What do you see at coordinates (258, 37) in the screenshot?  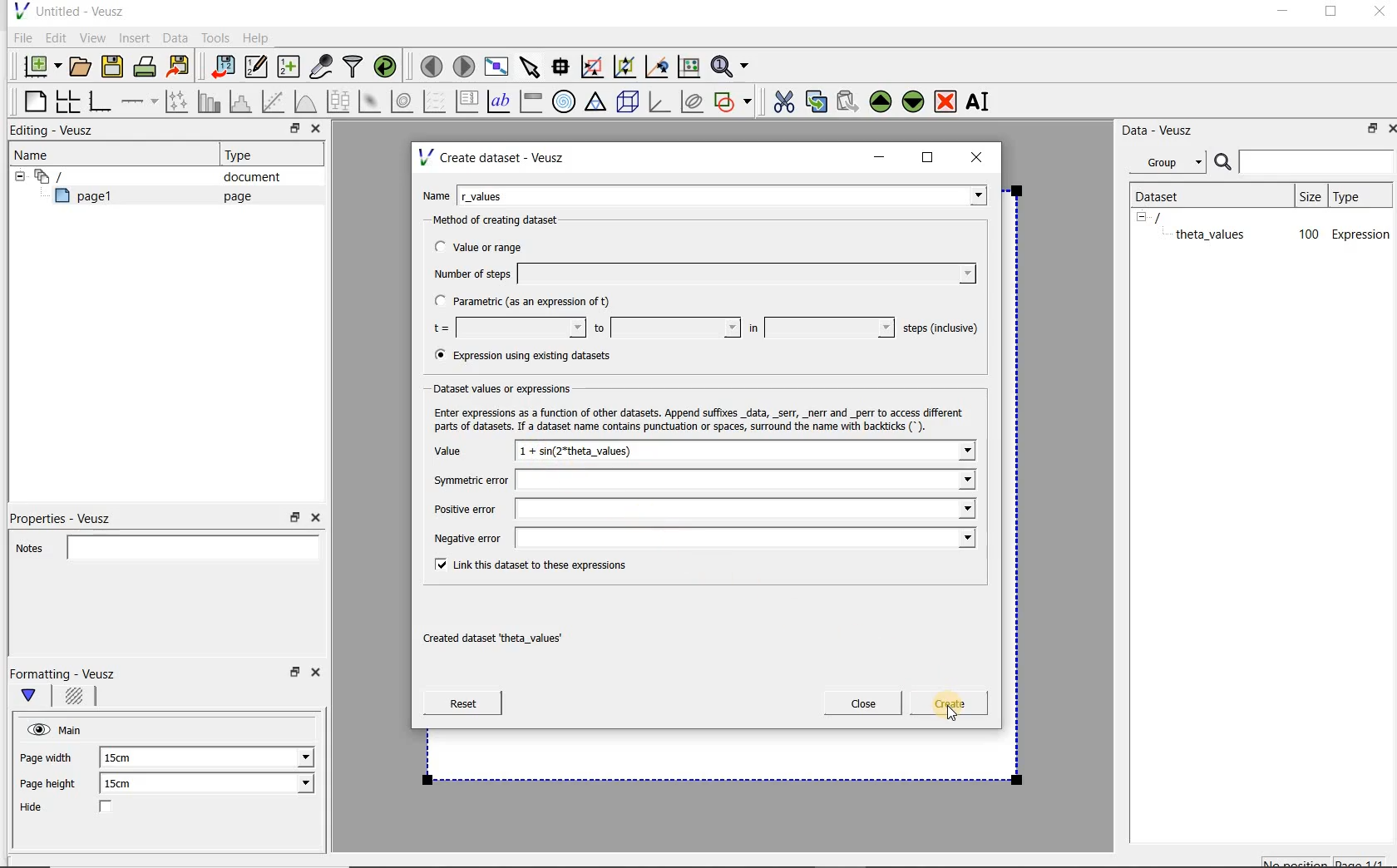 I see `Help` at bounding box center [258, 37].